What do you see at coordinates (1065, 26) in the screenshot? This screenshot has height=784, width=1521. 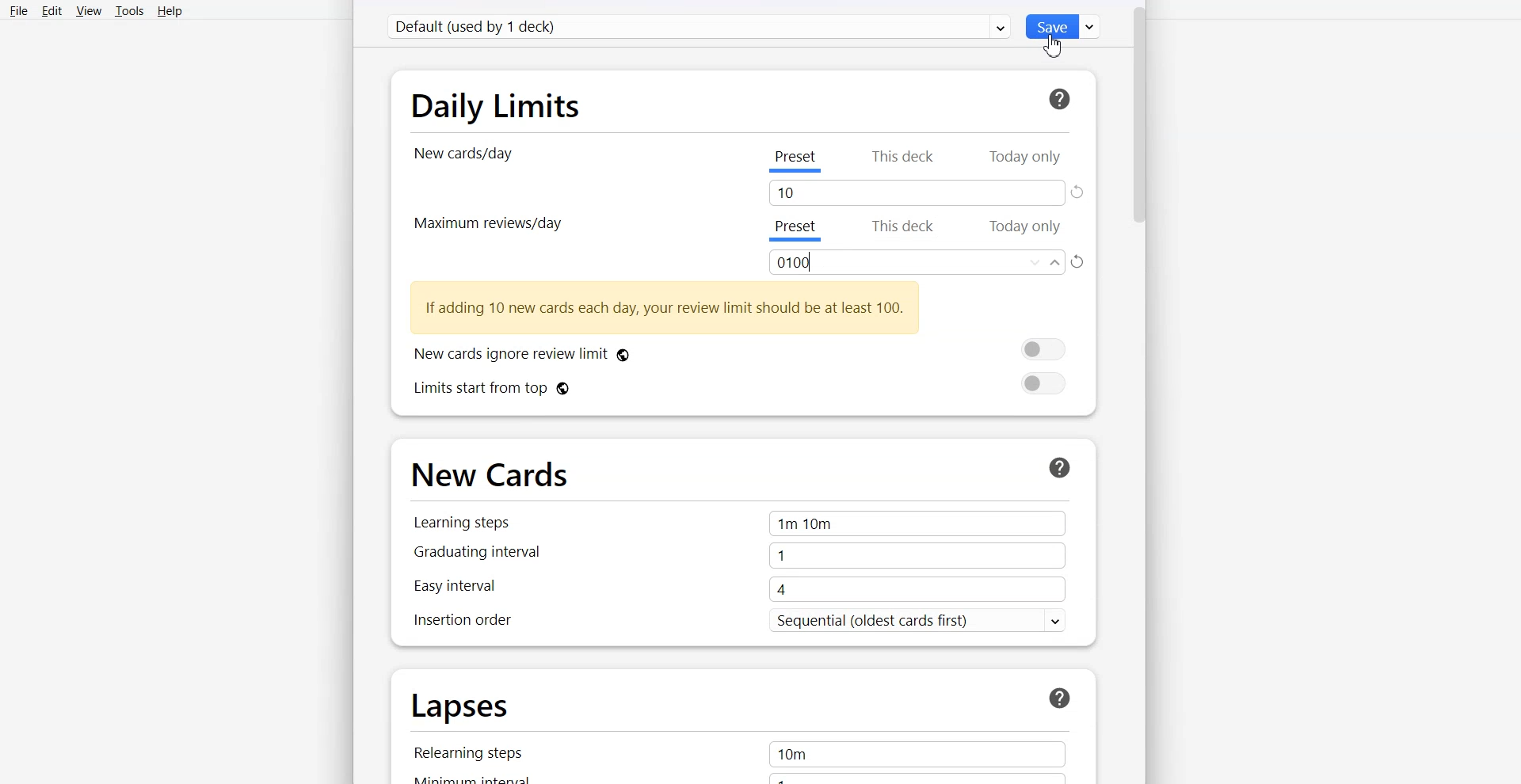 I see `Save` at bounding box center [1065, 26].